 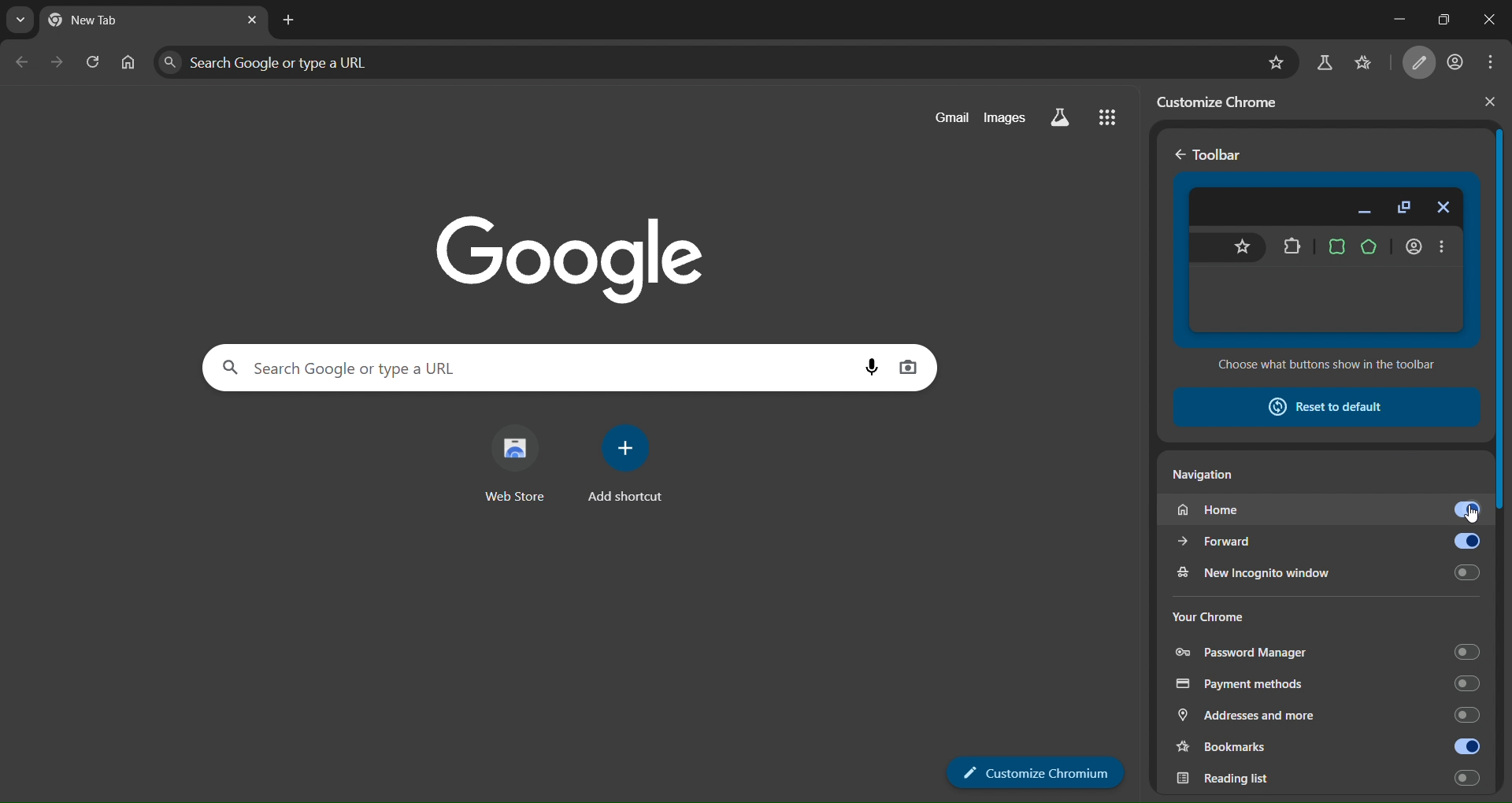 What do you see at coordinates (269, 62) in the screenshot?
I see `search panel` at bounding box center [269, 62].